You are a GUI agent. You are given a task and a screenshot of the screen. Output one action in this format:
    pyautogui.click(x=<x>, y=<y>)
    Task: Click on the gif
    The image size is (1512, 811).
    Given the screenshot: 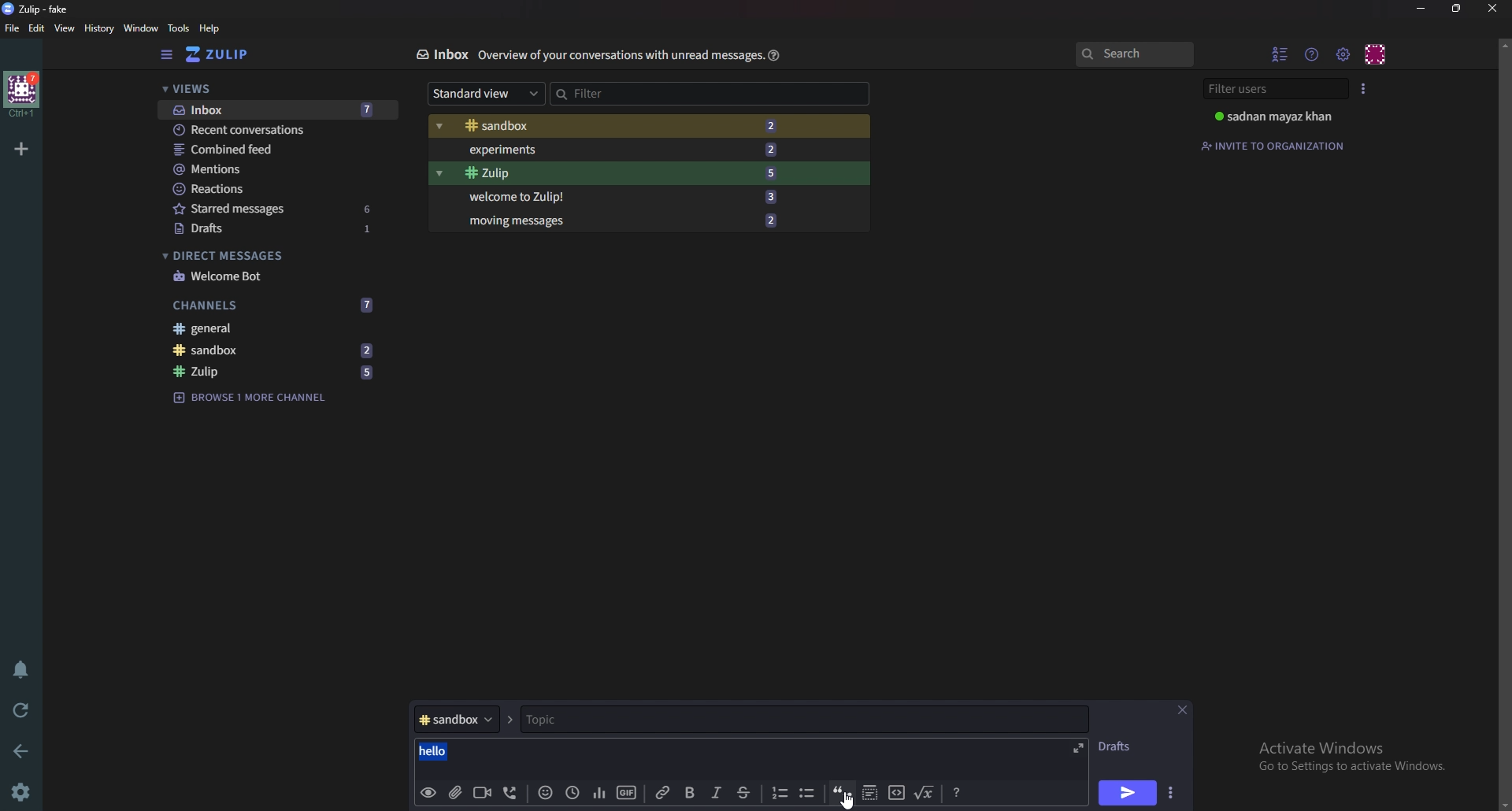 What is the action you would take?
    pyautogui.click(x=624, y=793)
    